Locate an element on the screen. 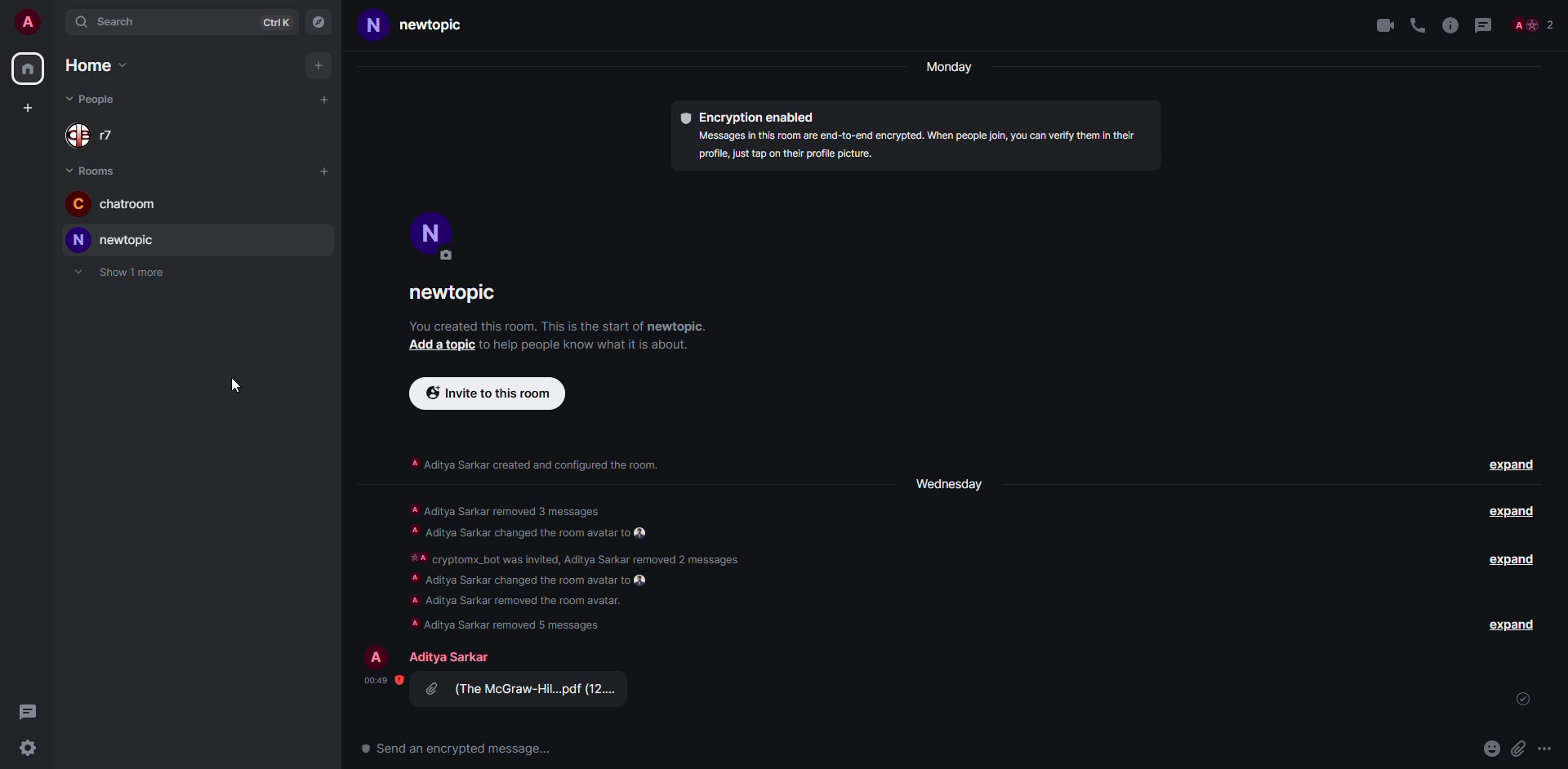  video is located at coordinates (1382, 24).